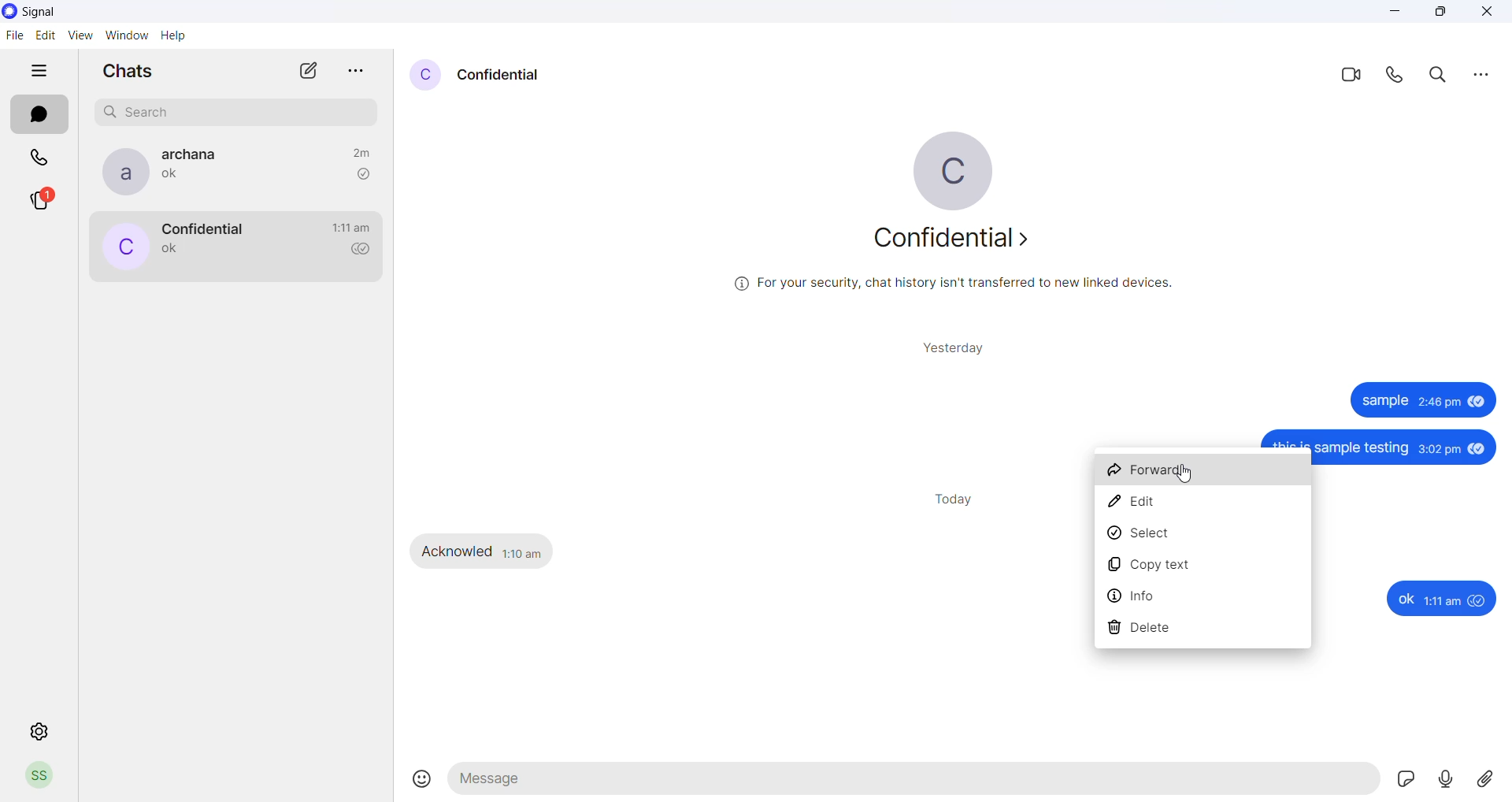  I want to click on maximize, so click(1440, 14).